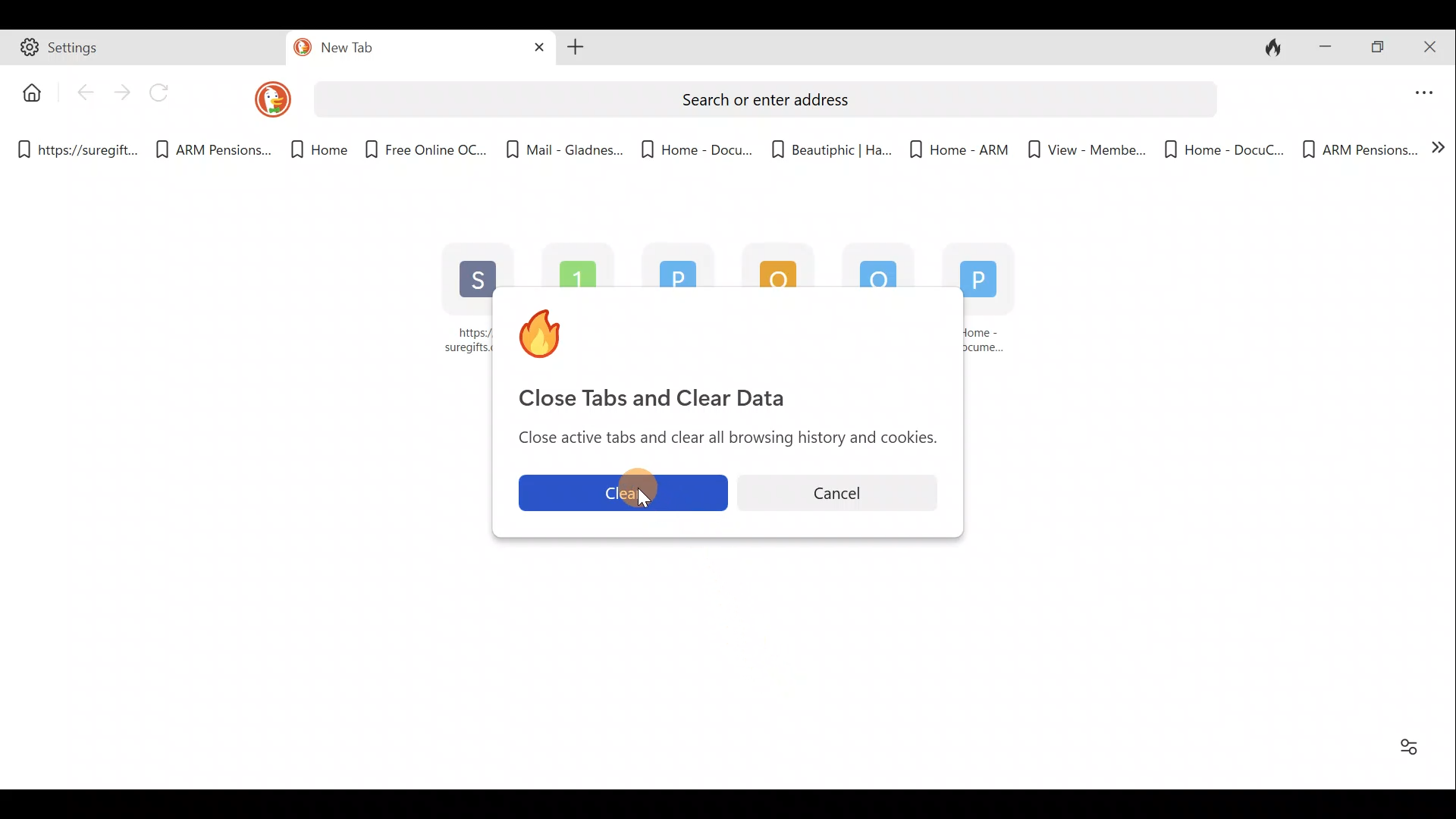 This screenshot has width=1456, height=819. Describe the element at coordinates (1277, 48) in the screenshot. I see `Close tabs and clear data` at that location.